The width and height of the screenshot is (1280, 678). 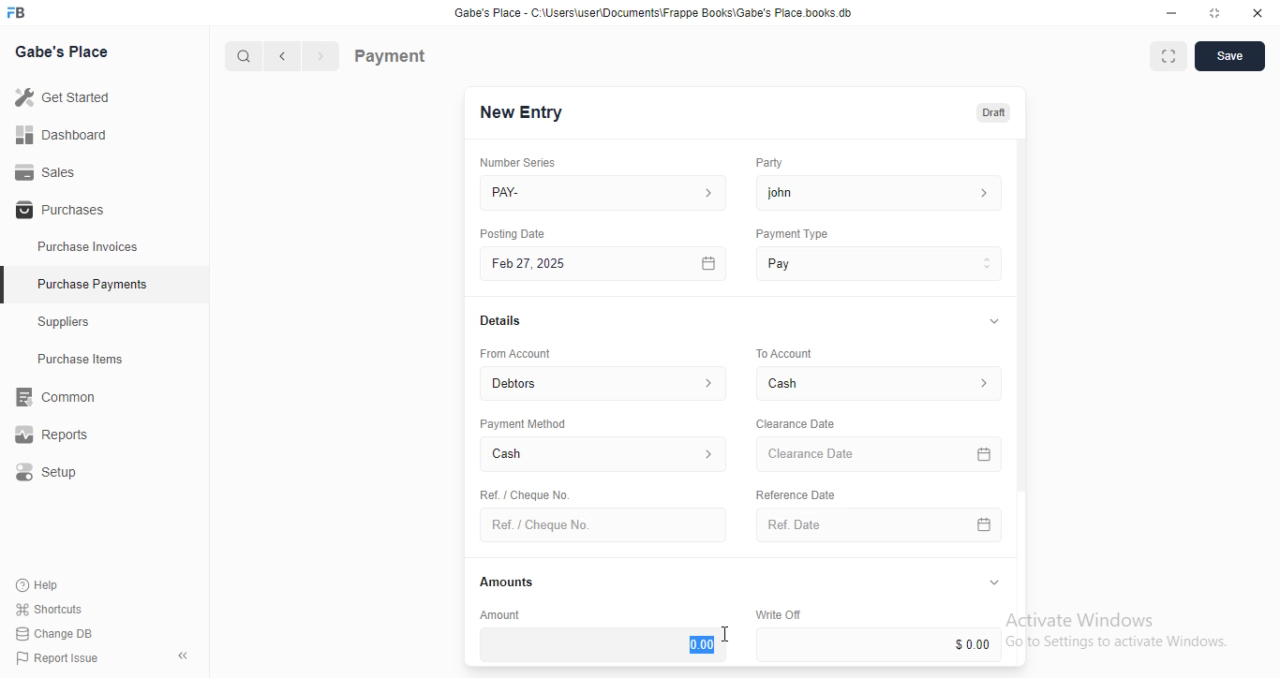 I want to click on PAY-, so click(x=605, y=193).